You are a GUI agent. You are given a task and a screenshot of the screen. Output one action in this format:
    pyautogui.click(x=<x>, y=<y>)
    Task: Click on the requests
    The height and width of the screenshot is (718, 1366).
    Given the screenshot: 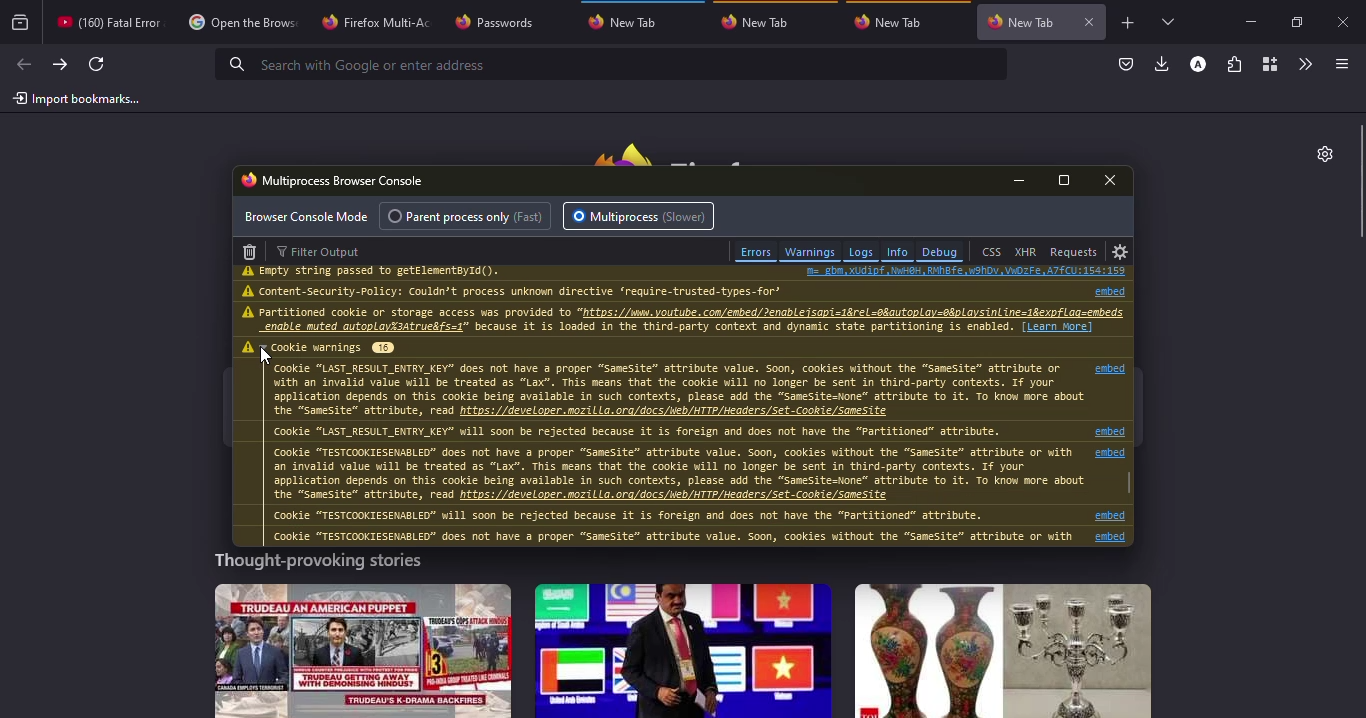 What is the action you would take?
    pyautogui.click(x=1074, y=251)
    